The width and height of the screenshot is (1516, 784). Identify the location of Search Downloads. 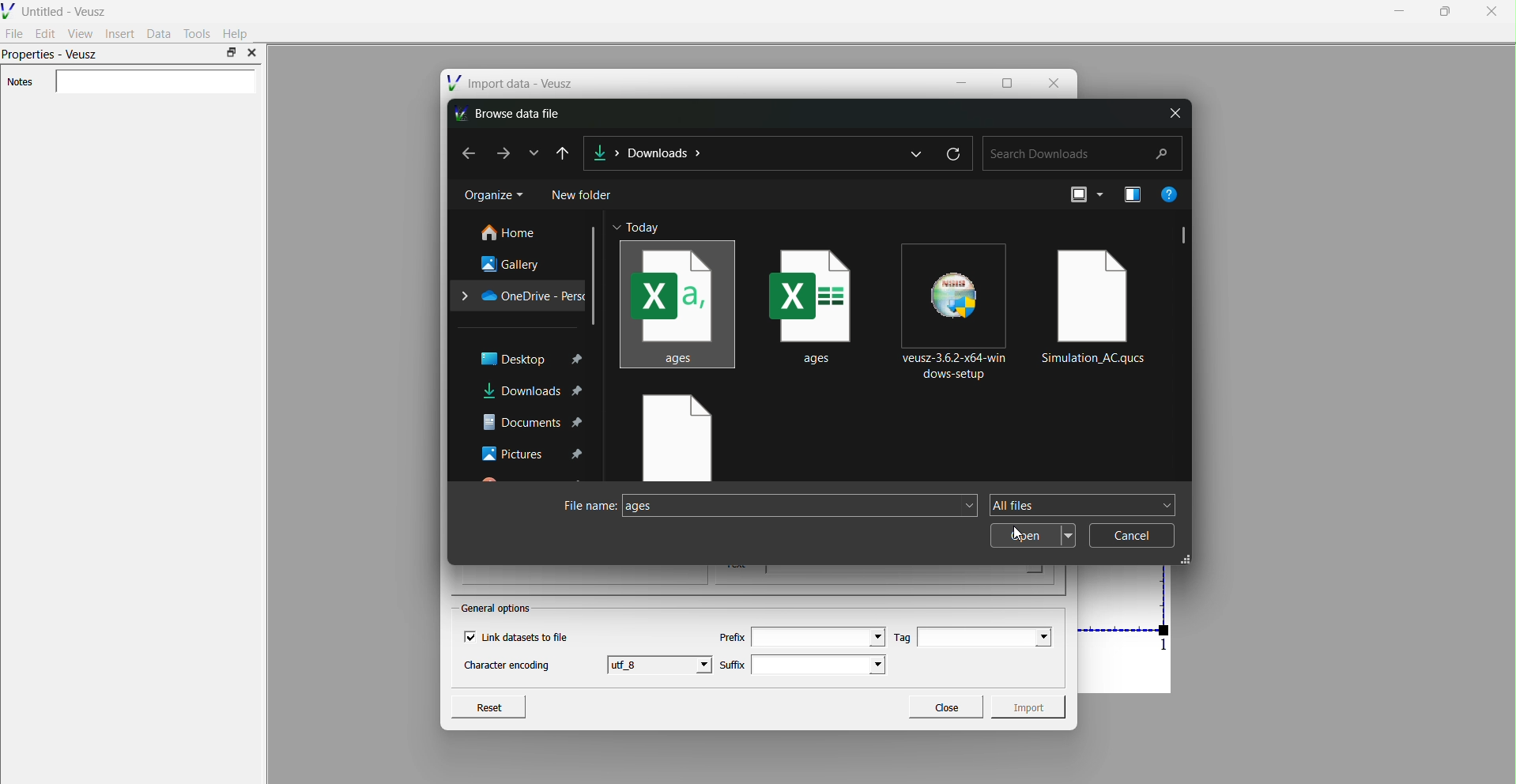
(1083, 154).